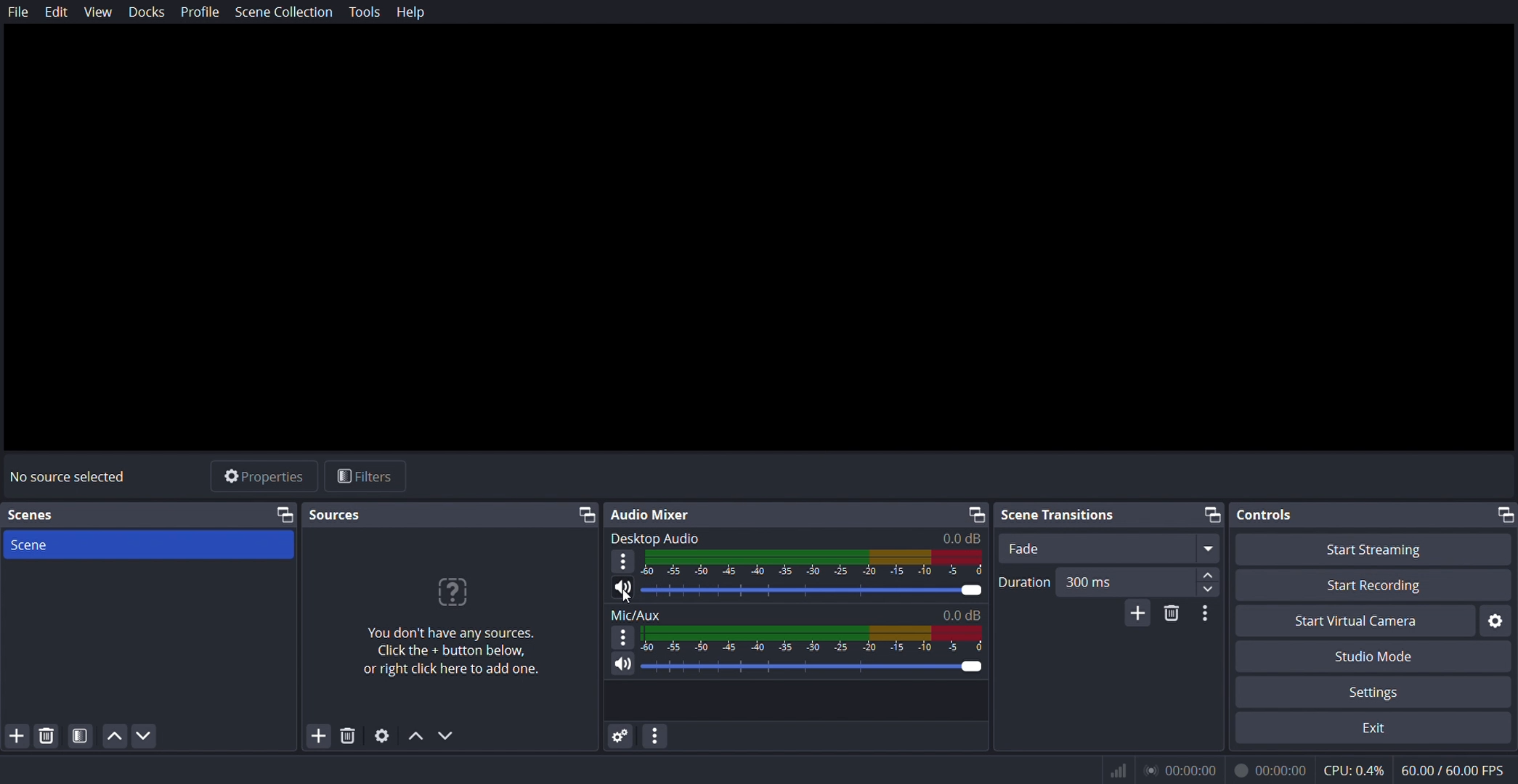 Image resolution: width=1518 pixels, height=784 pixels. Describe the element at coordinates (625, 596) in the screenshot. I see `cursor` at that location.